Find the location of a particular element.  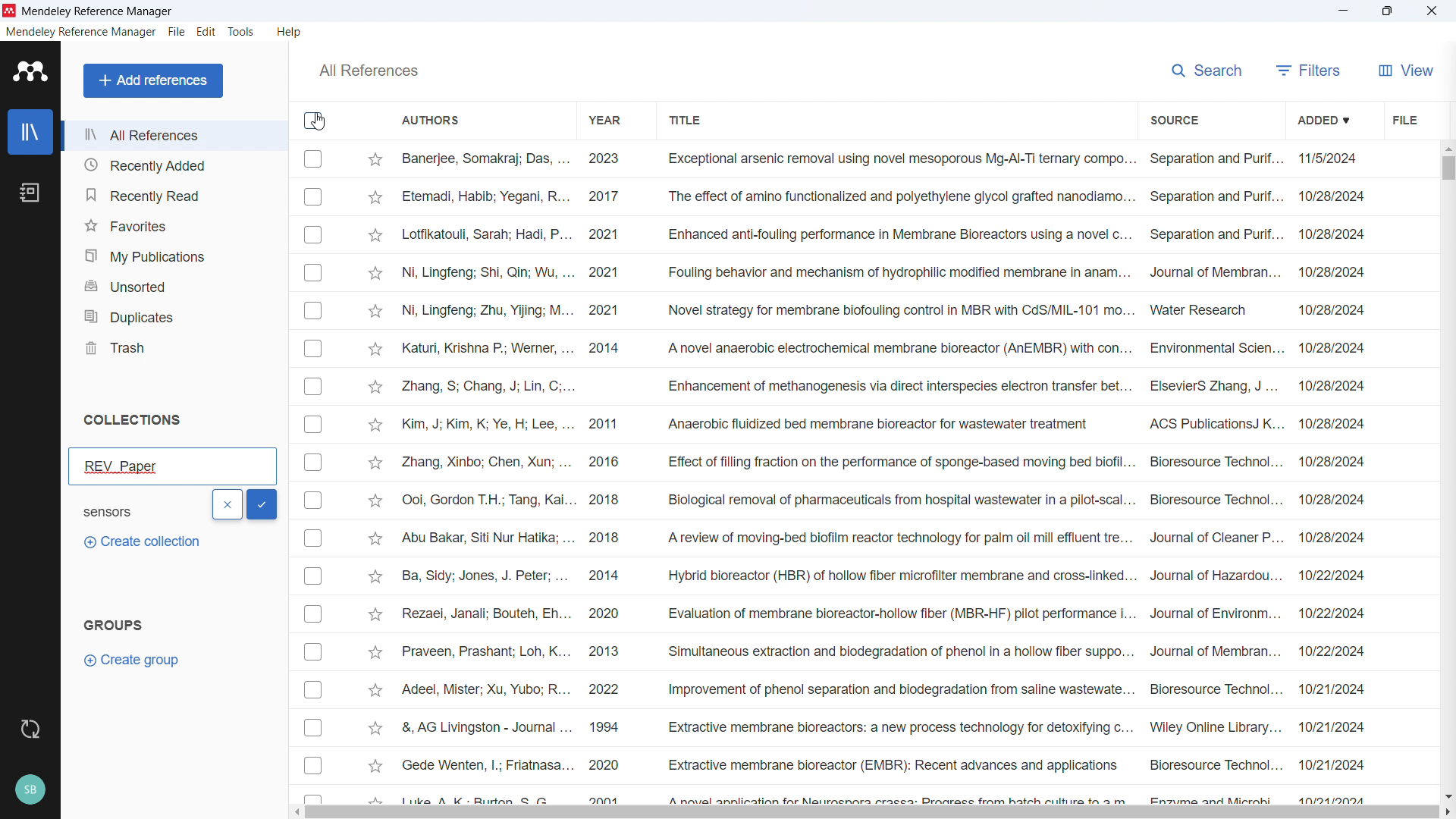

tools is located at coordinates (243, 31).